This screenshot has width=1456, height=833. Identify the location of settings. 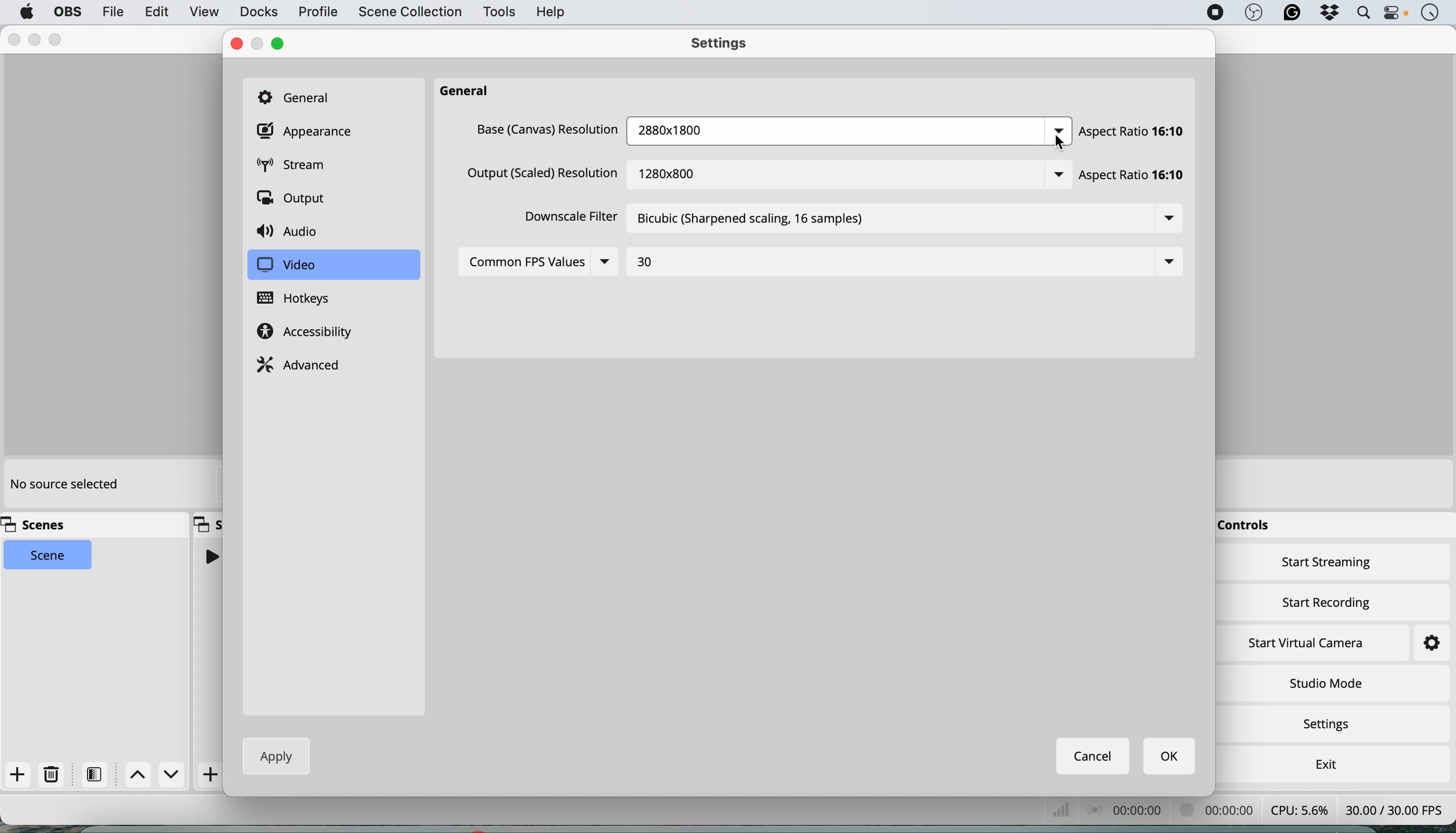
(725, 45).